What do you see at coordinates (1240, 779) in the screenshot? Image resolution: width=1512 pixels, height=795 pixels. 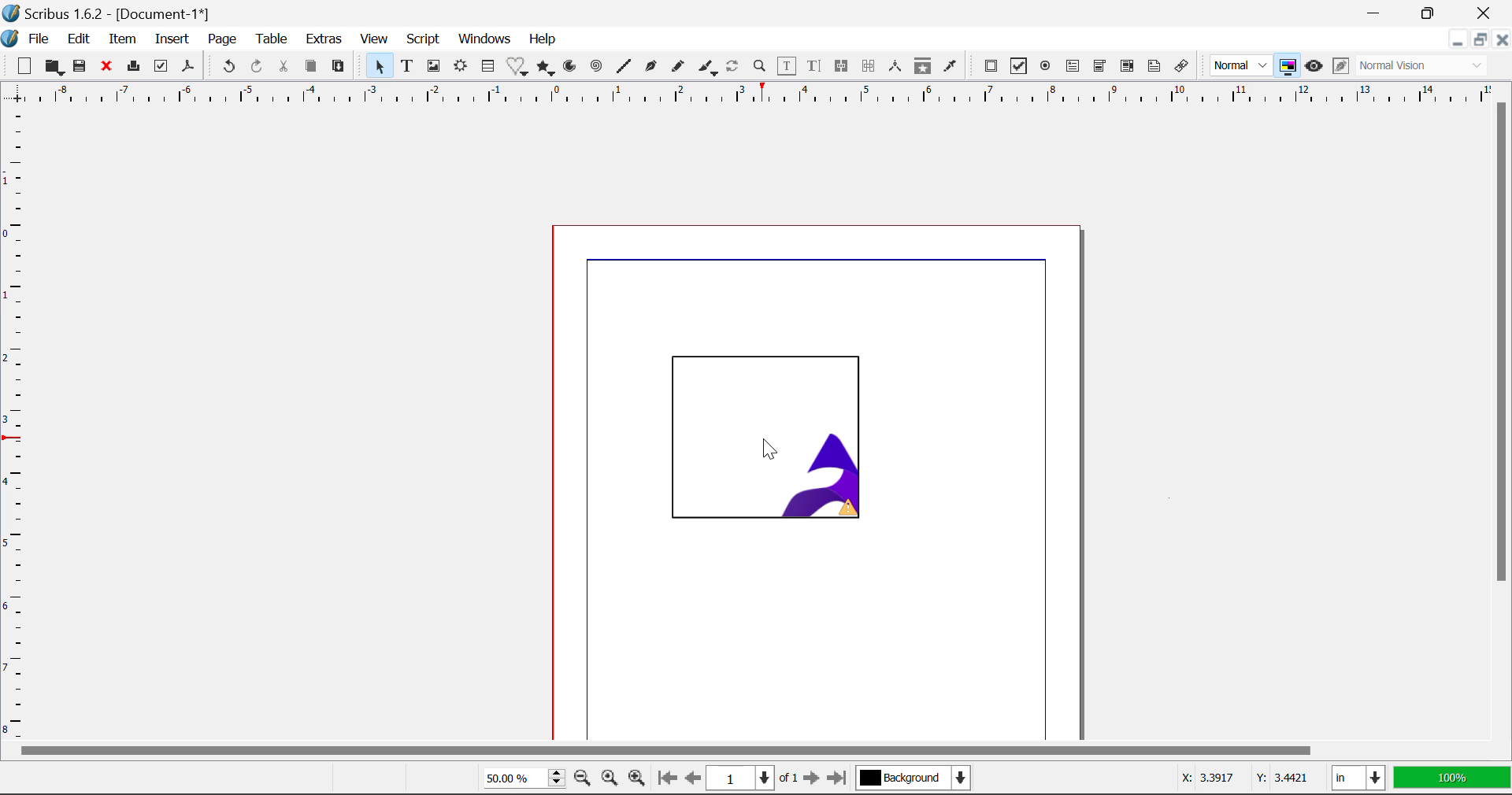 I see `Cursor Position` at bounding box center [1240, 779].